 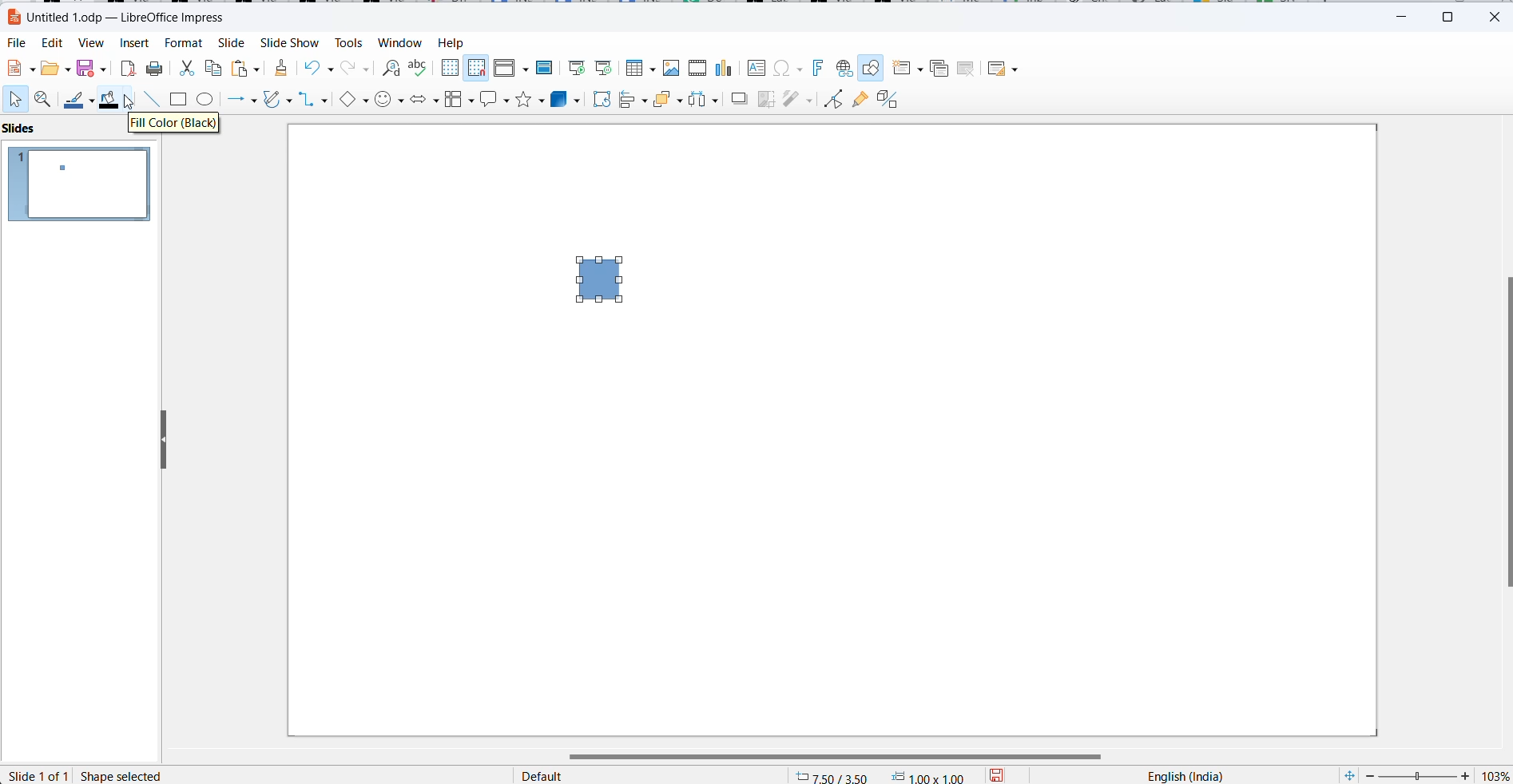 I want to click on redo, so click(x=356, y=69).